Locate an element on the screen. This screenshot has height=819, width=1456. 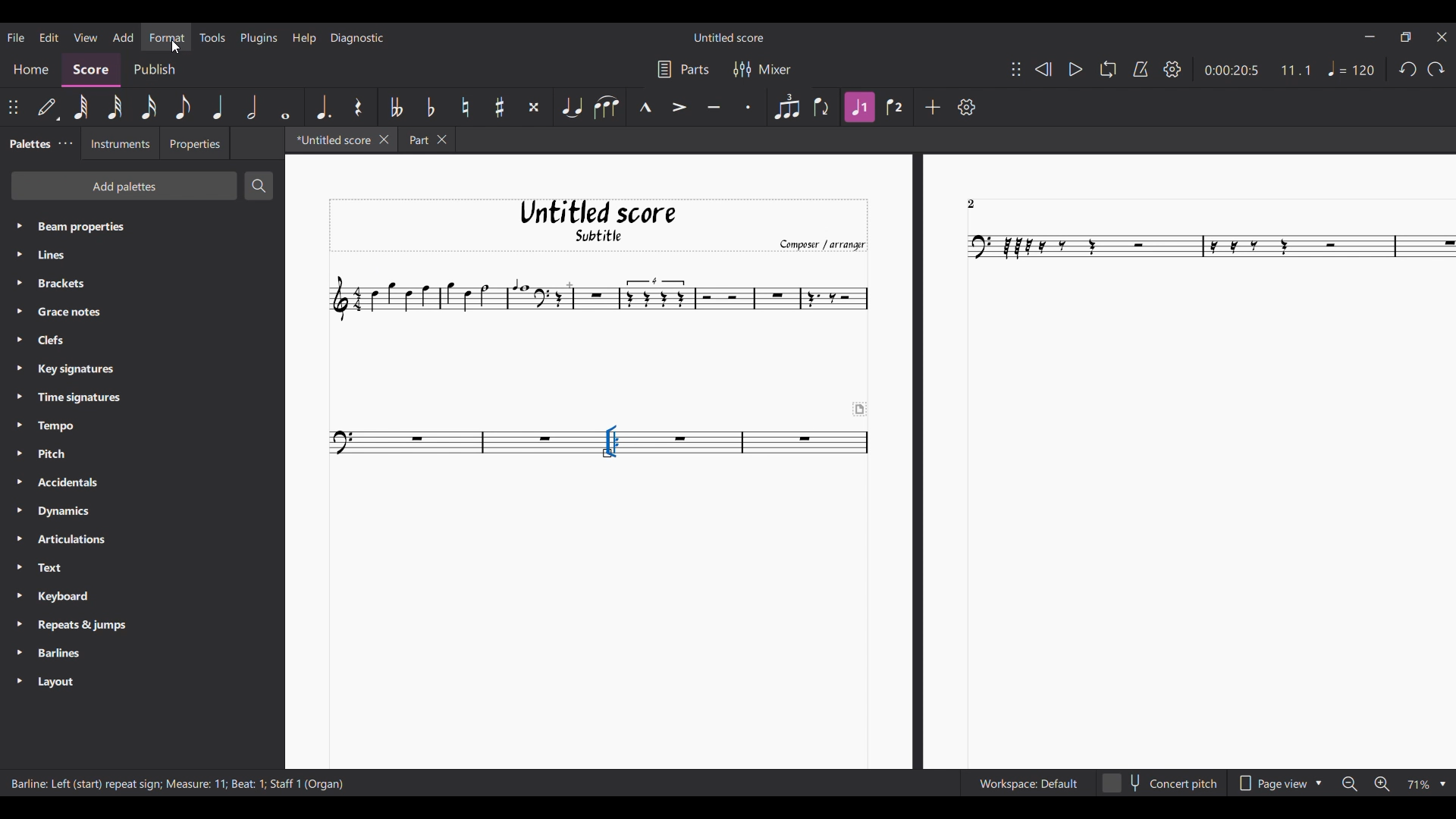
Tools menu is located at coordinates (212, 37).